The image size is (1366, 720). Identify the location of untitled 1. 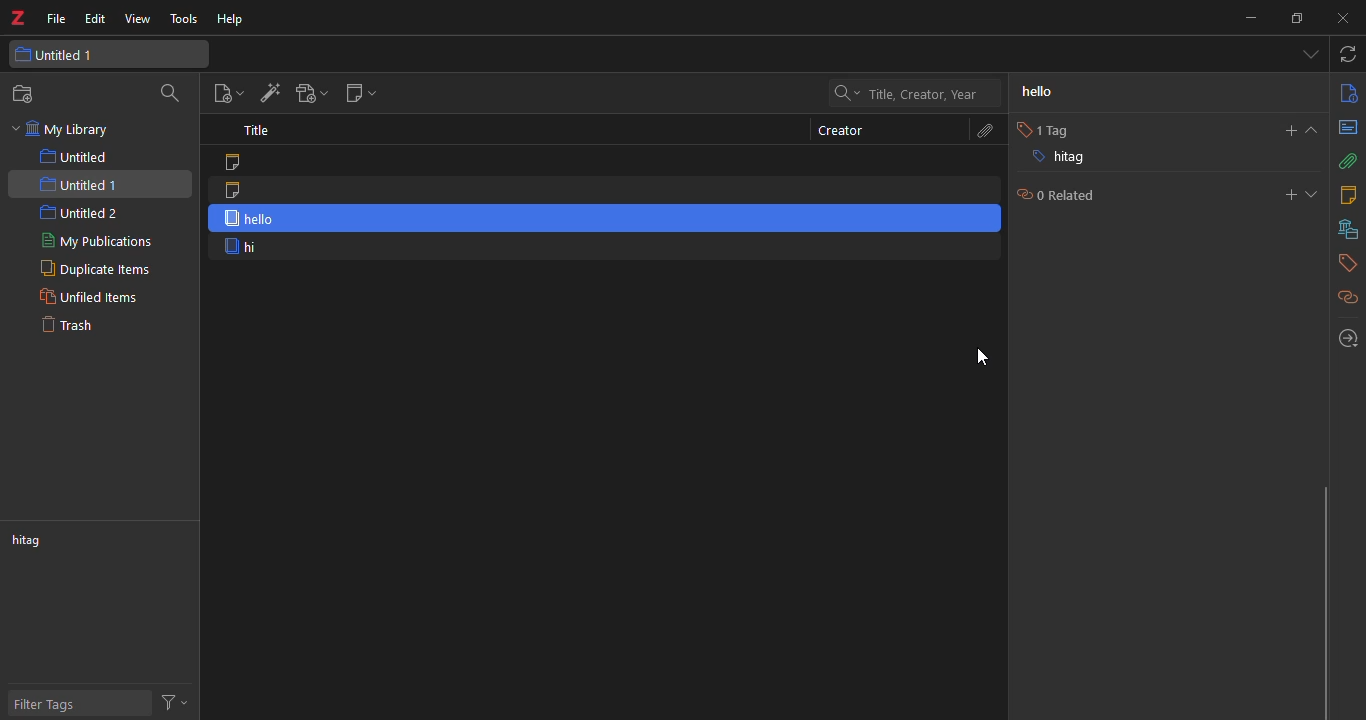
(80, 183).